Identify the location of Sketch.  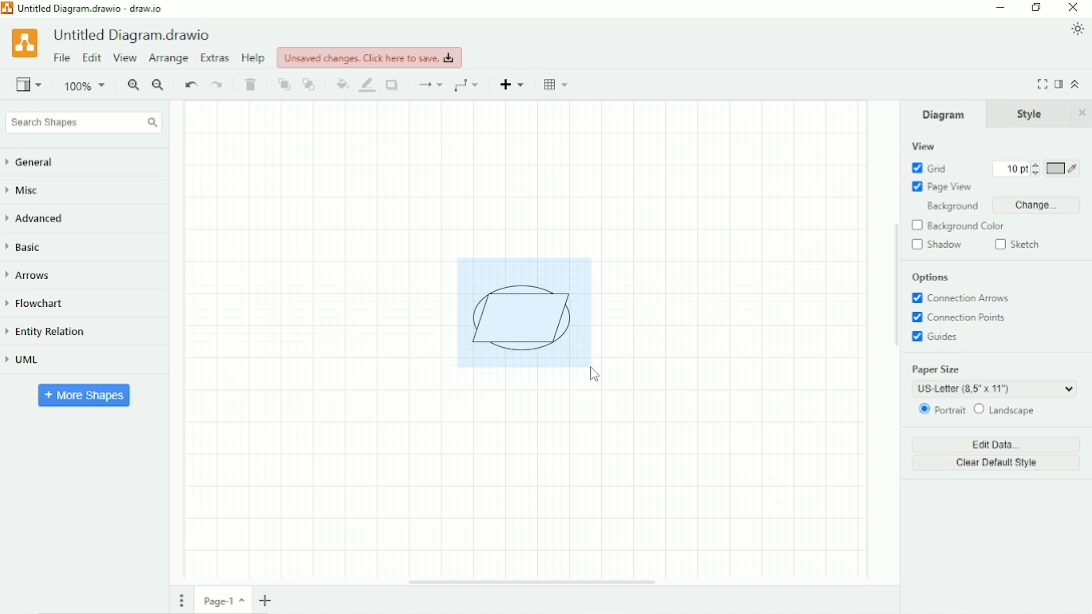
(1020, 244).